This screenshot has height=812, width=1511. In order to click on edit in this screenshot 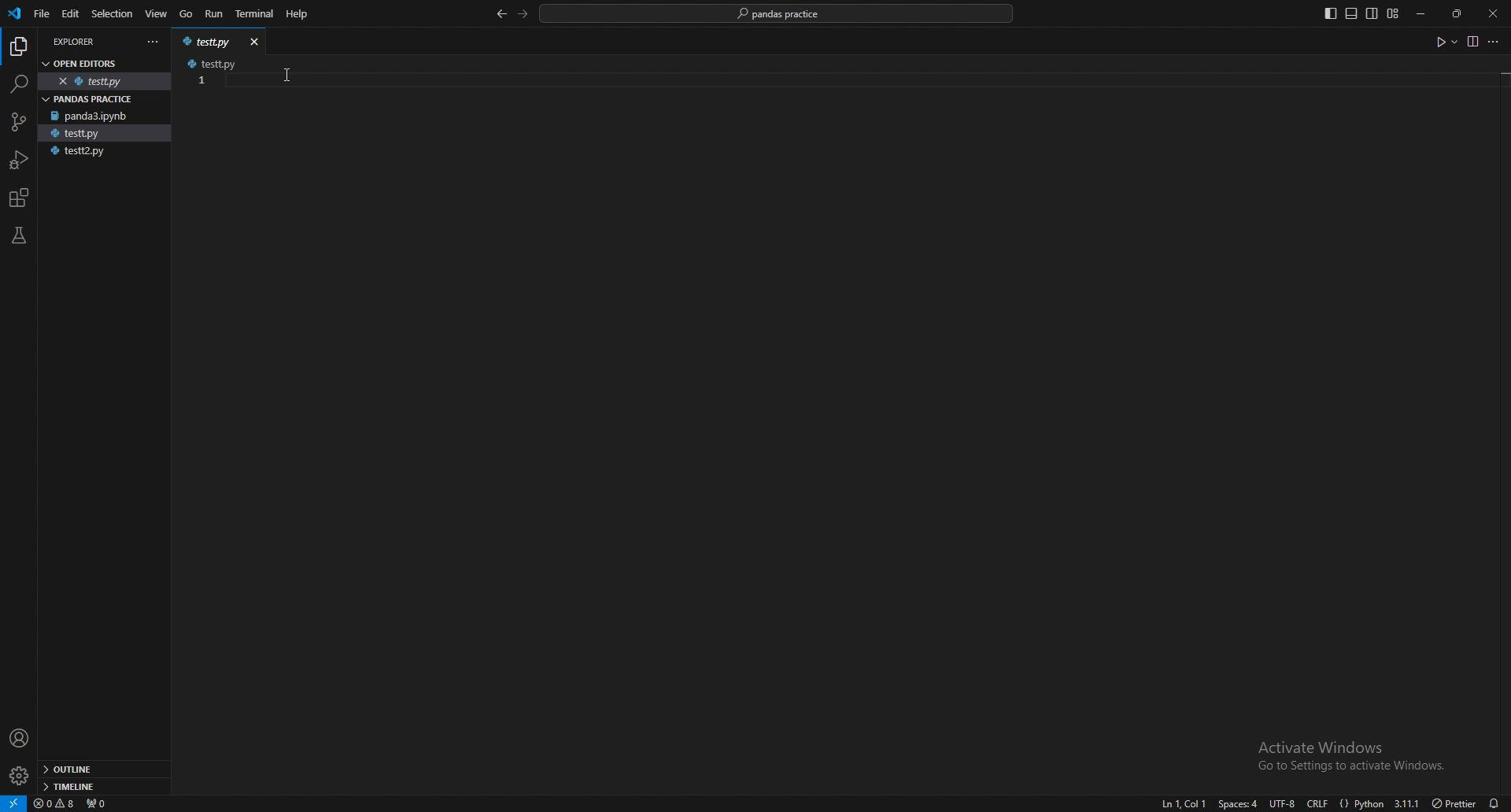, I will do `click(72, 13)`.